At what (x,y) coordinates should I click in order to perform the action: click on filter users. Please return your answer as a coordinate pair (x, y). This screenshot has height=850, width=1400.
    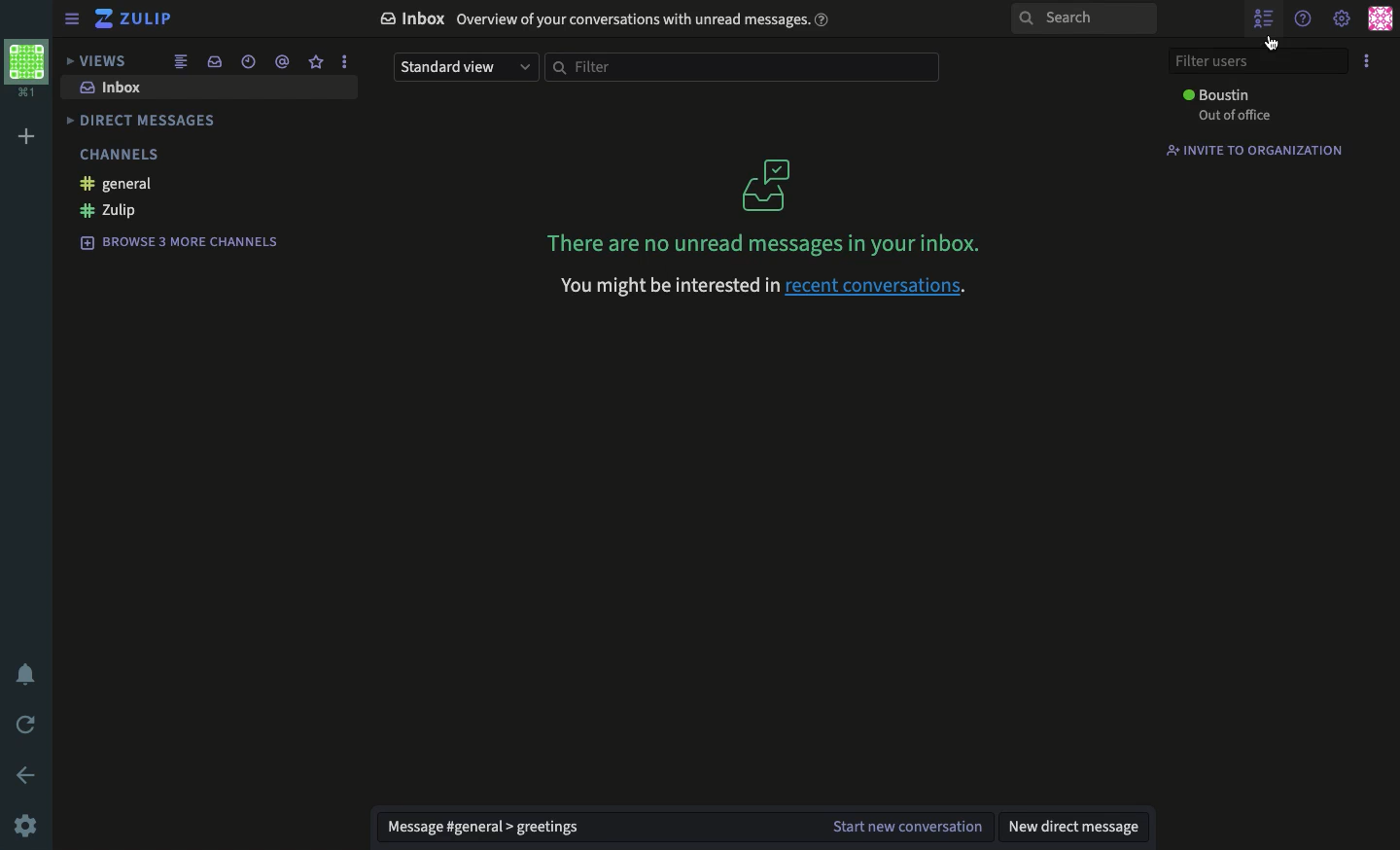
    Looking at the image, I should click on (1257, 61).